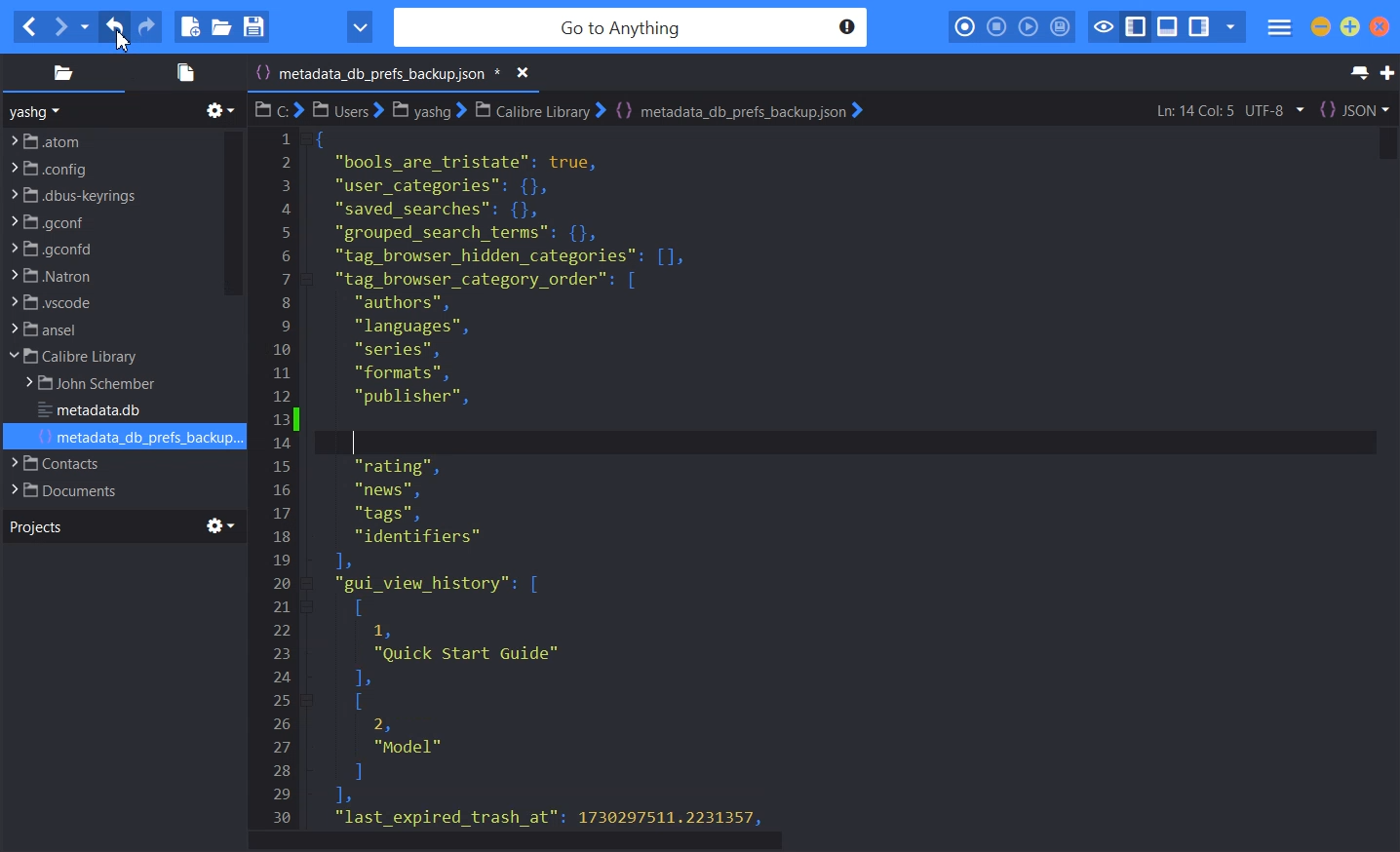 The image size is (1400, 852). Describe the element at coordinates (35, 525) in the screenshot. I see `Projects` at that location.